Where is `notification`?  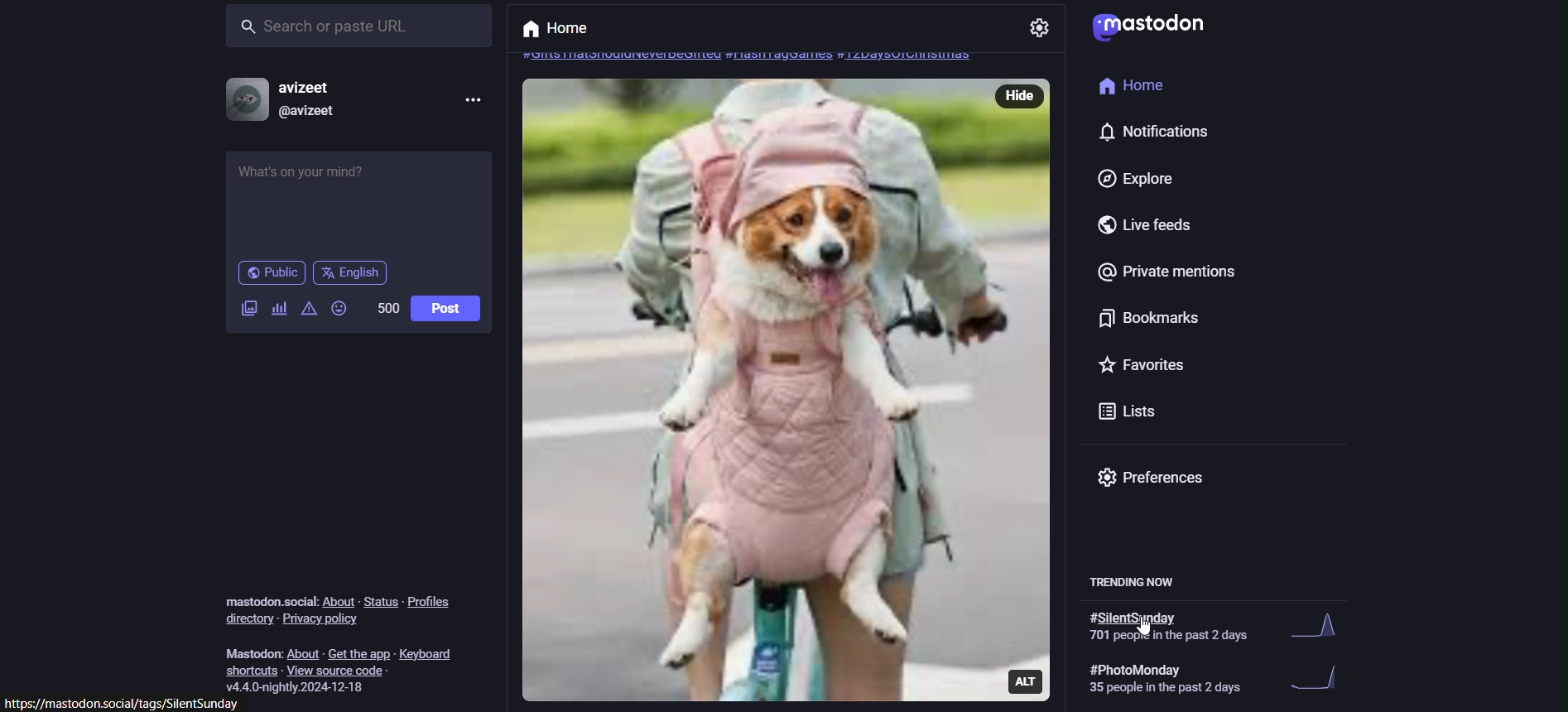
notification is located at coordinates (1148, 132).